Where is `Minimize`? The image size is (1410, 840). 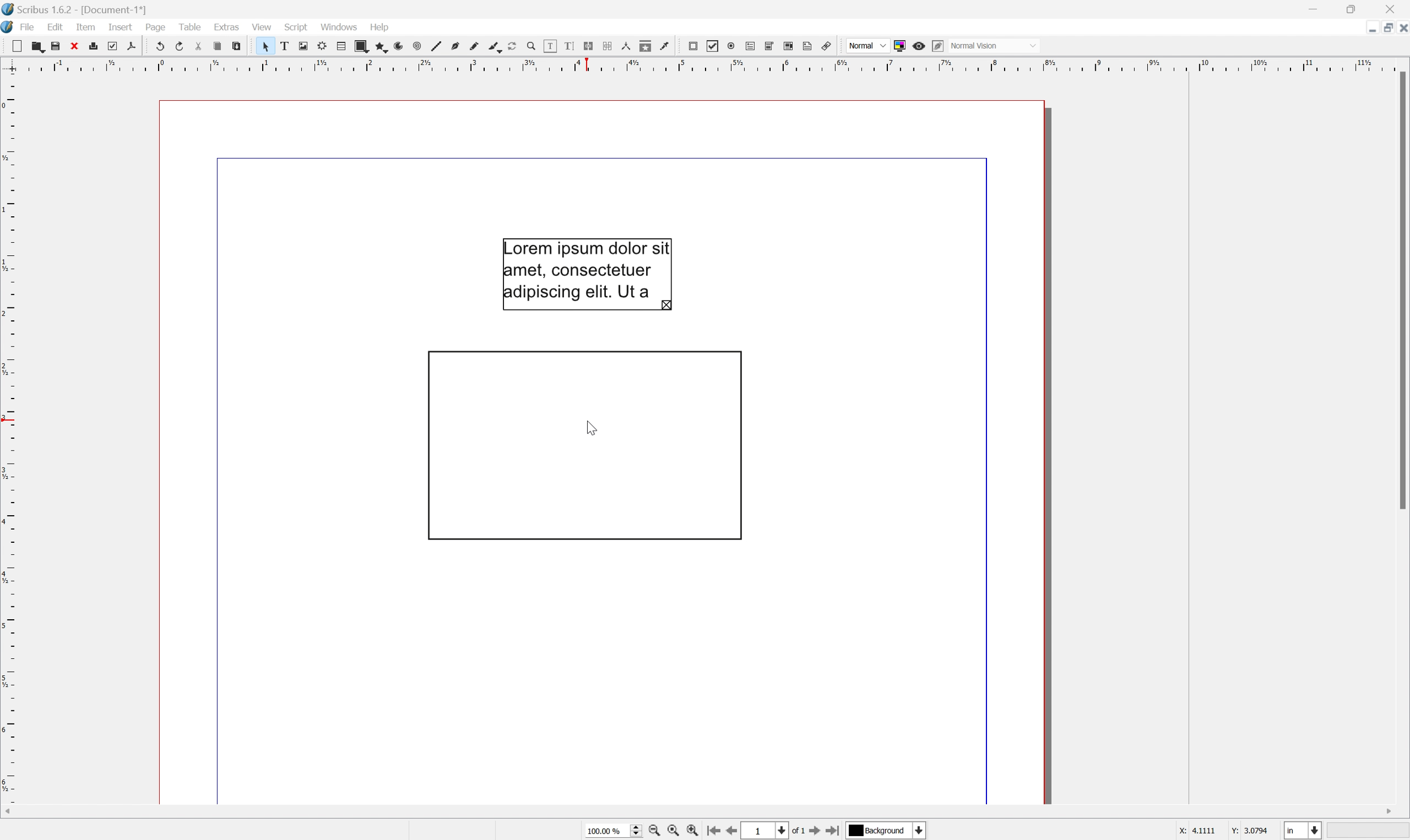
Minimize is located at coordinates (1363, 27).